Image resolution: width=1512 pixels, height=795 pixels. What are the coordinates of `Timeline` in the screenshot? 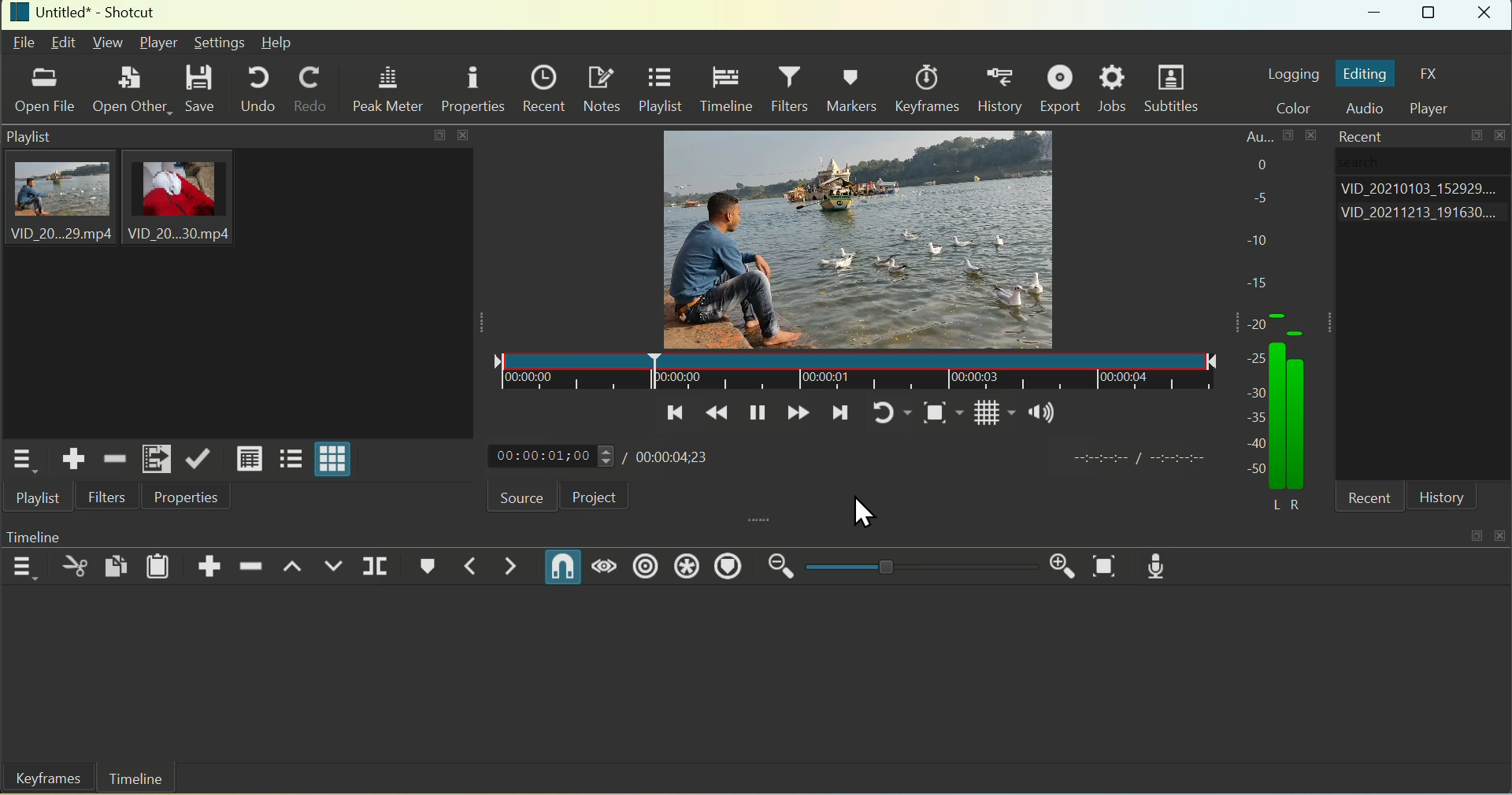 It's located at (136, 779).